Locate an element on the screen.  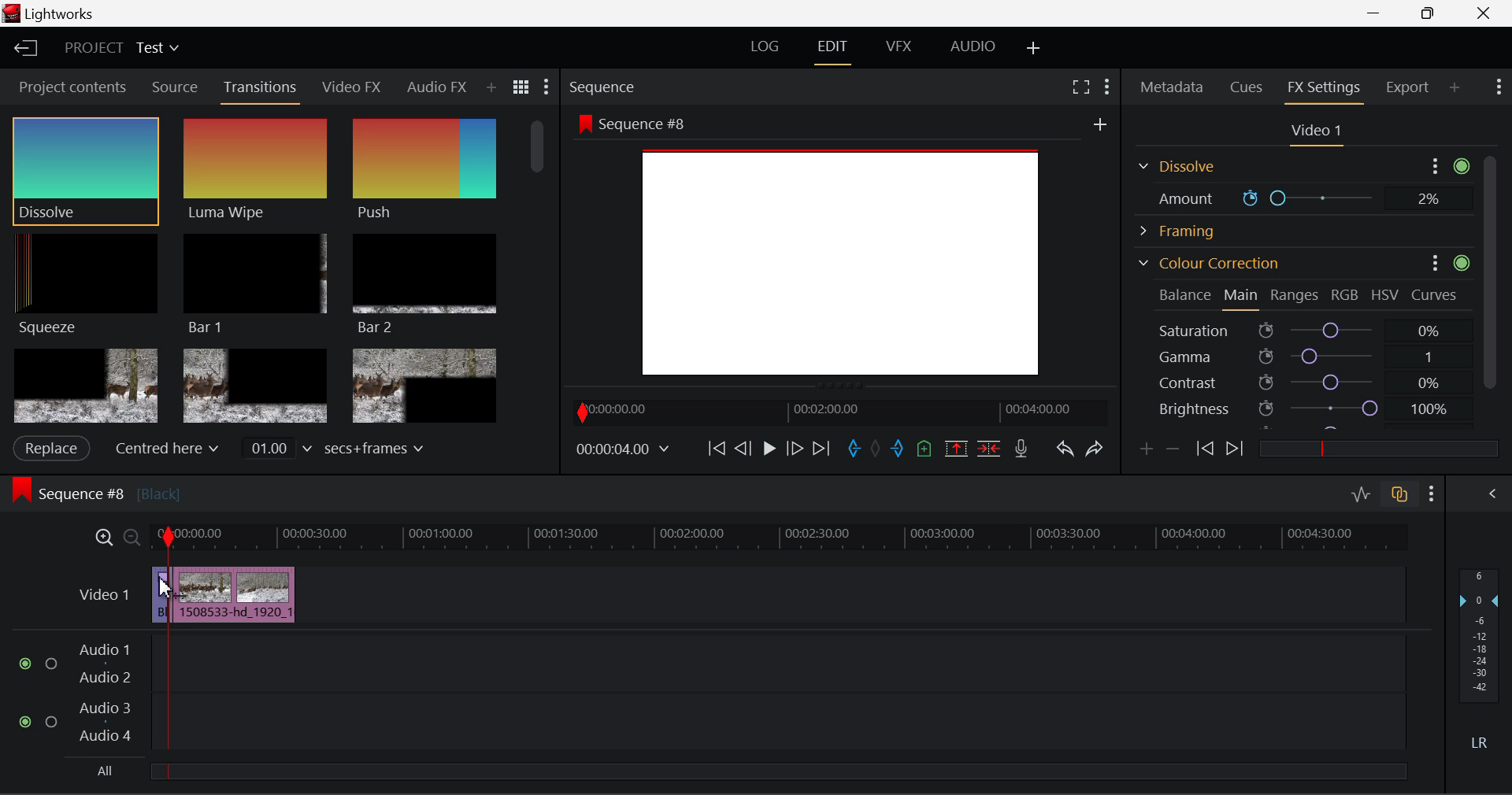
Curves is located at coordinates (1436, 295).